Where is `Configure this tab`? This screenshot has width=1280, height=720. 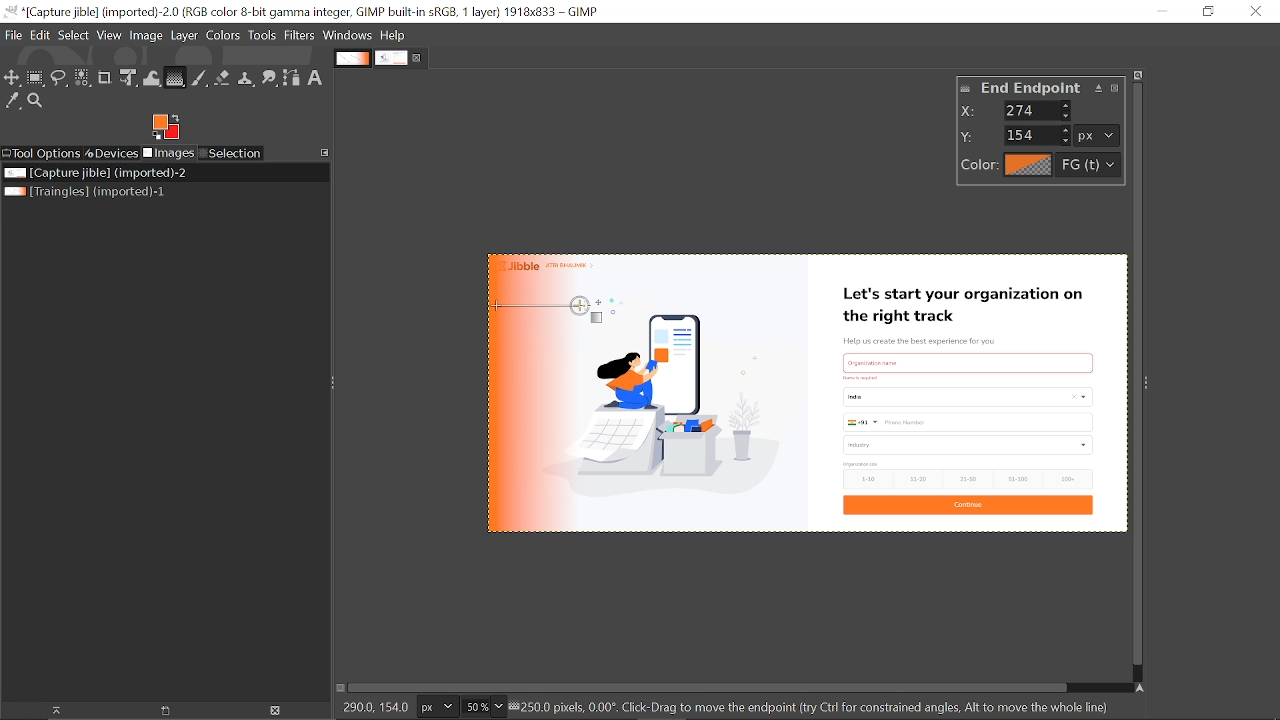 Configure this tab is located at coordinates (325, 153).